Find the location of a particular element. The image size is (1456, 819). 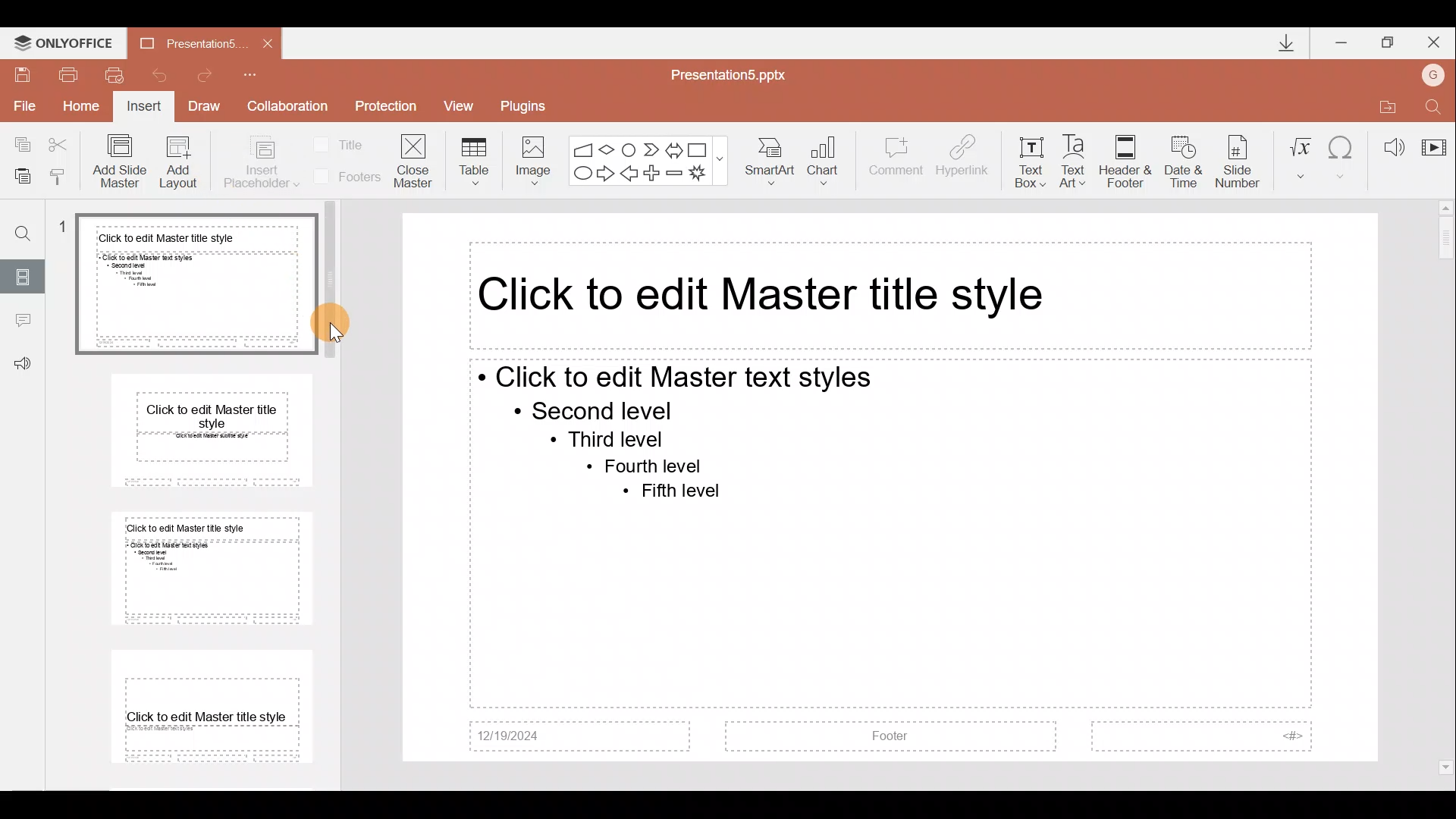

Protection is located at coordinates (385, 108).